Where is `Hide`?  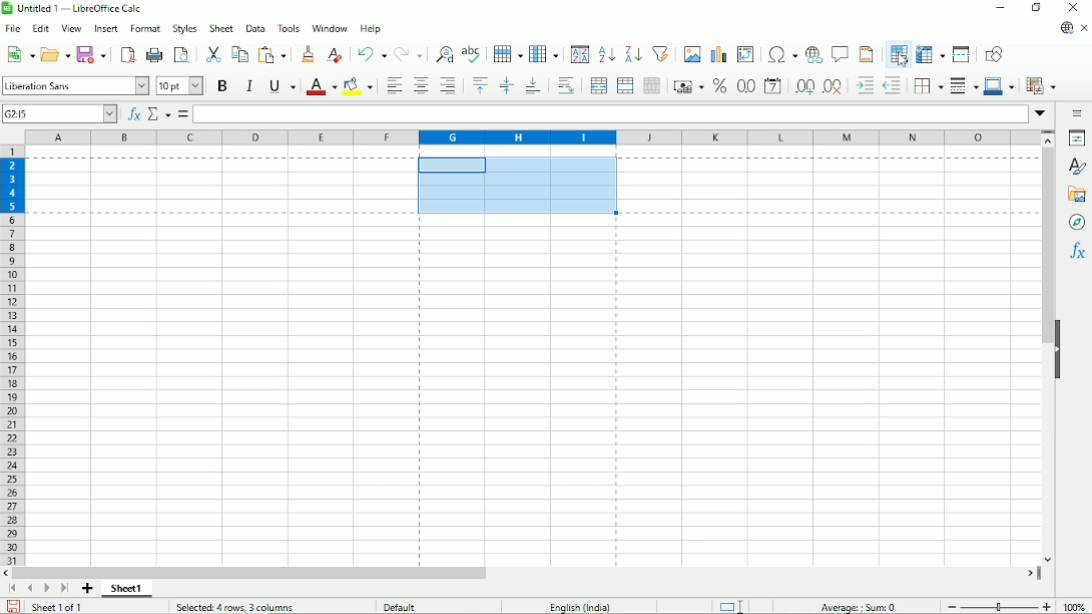
Hide is located at coordinates (1059, 350).